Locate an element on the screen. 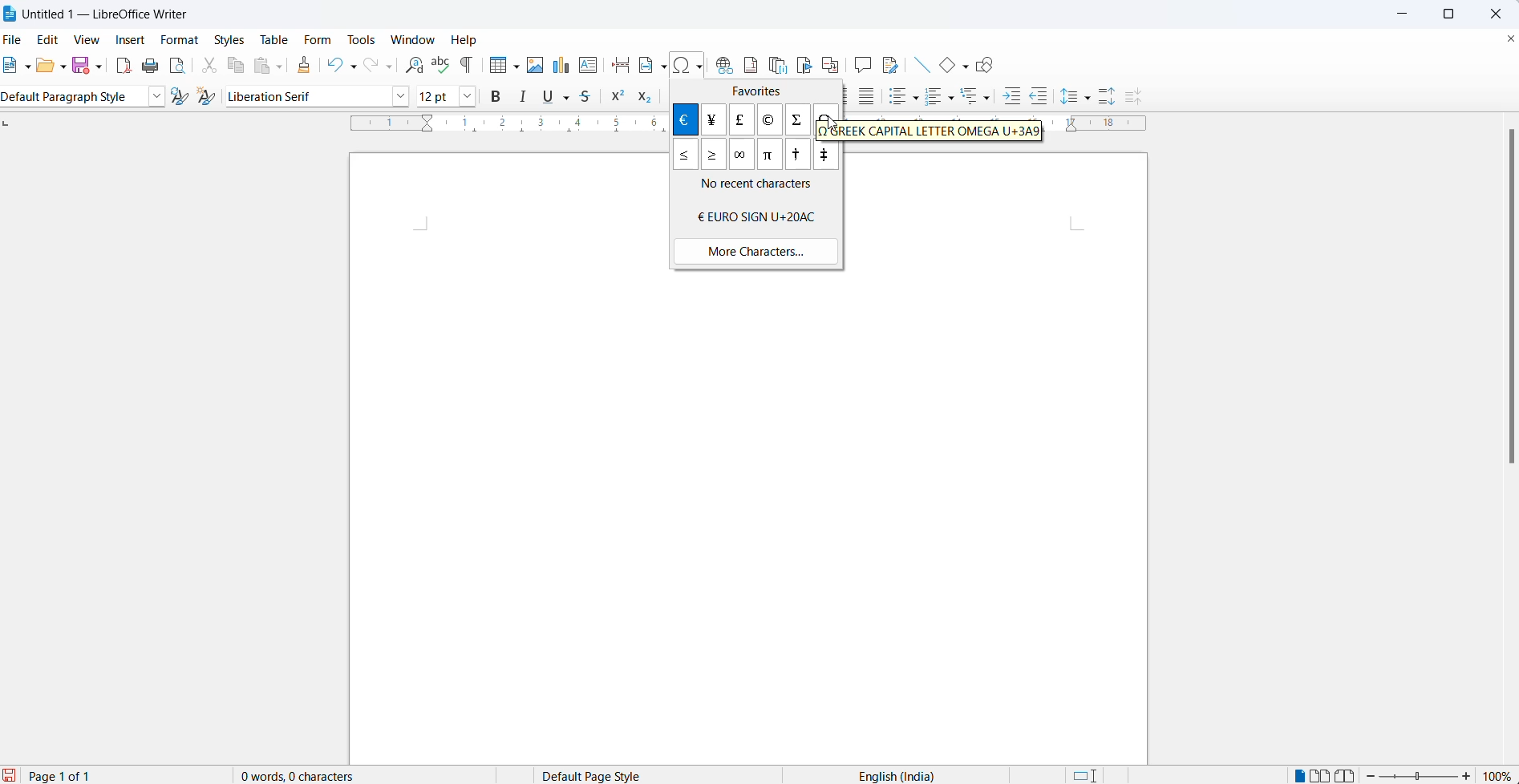 Image resolution: width=1519 pixels, height=784 pixels. find and replace is located at coordinates (415, 64).